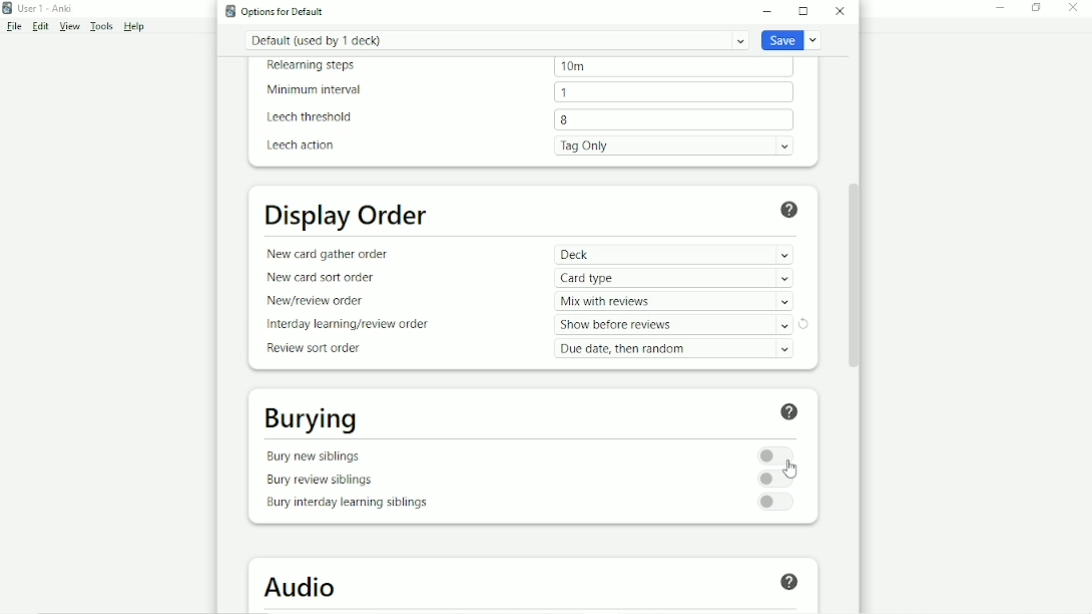 Image resolution: width=1092 pixels, height=614 pixels. Describe the element at coordinates (678, 145) in the screenshot. I see `Tag Only` at that location.